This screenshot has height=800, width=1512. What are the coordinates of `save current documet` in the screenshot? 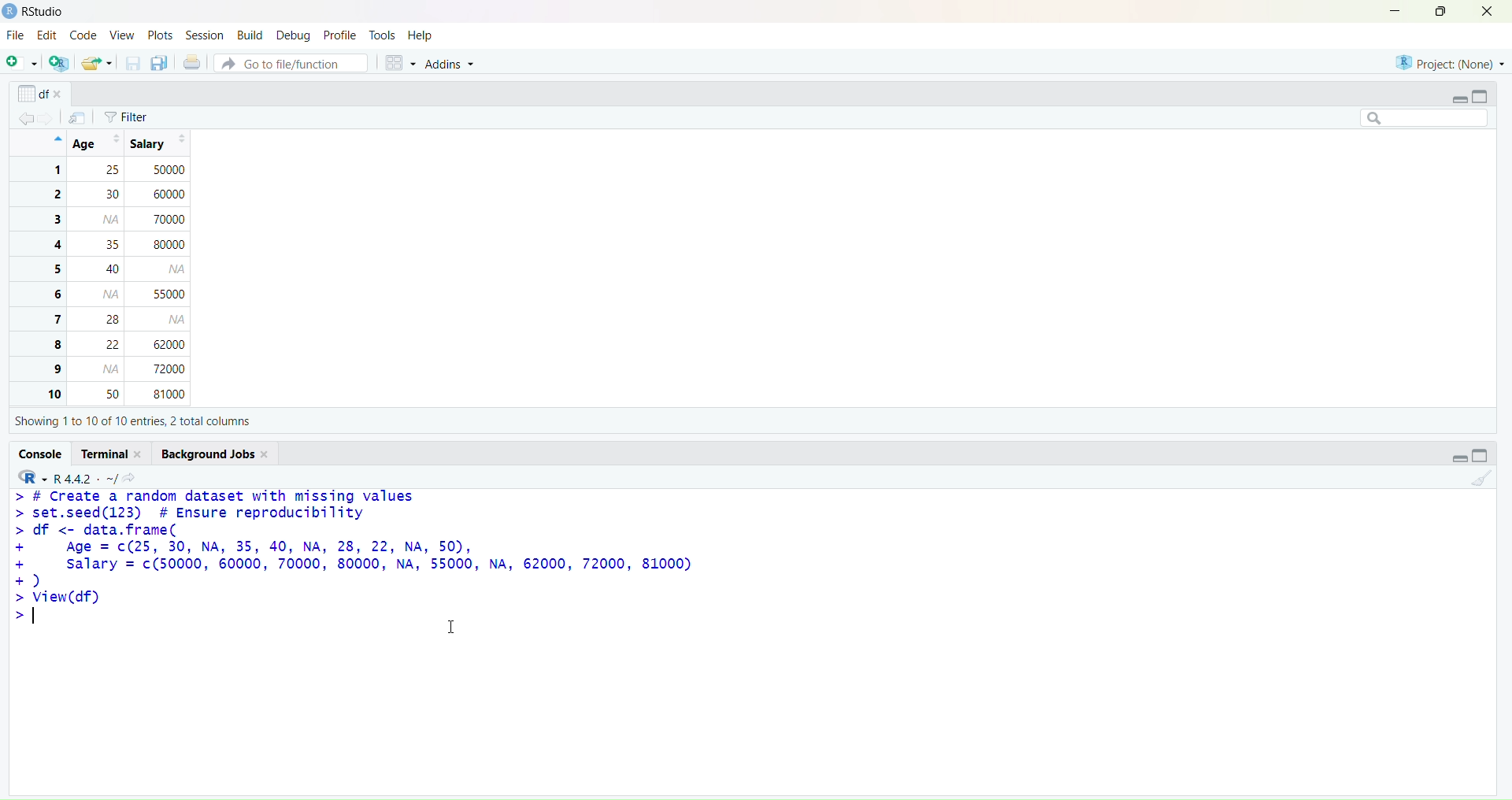 It's located at (132, 64).